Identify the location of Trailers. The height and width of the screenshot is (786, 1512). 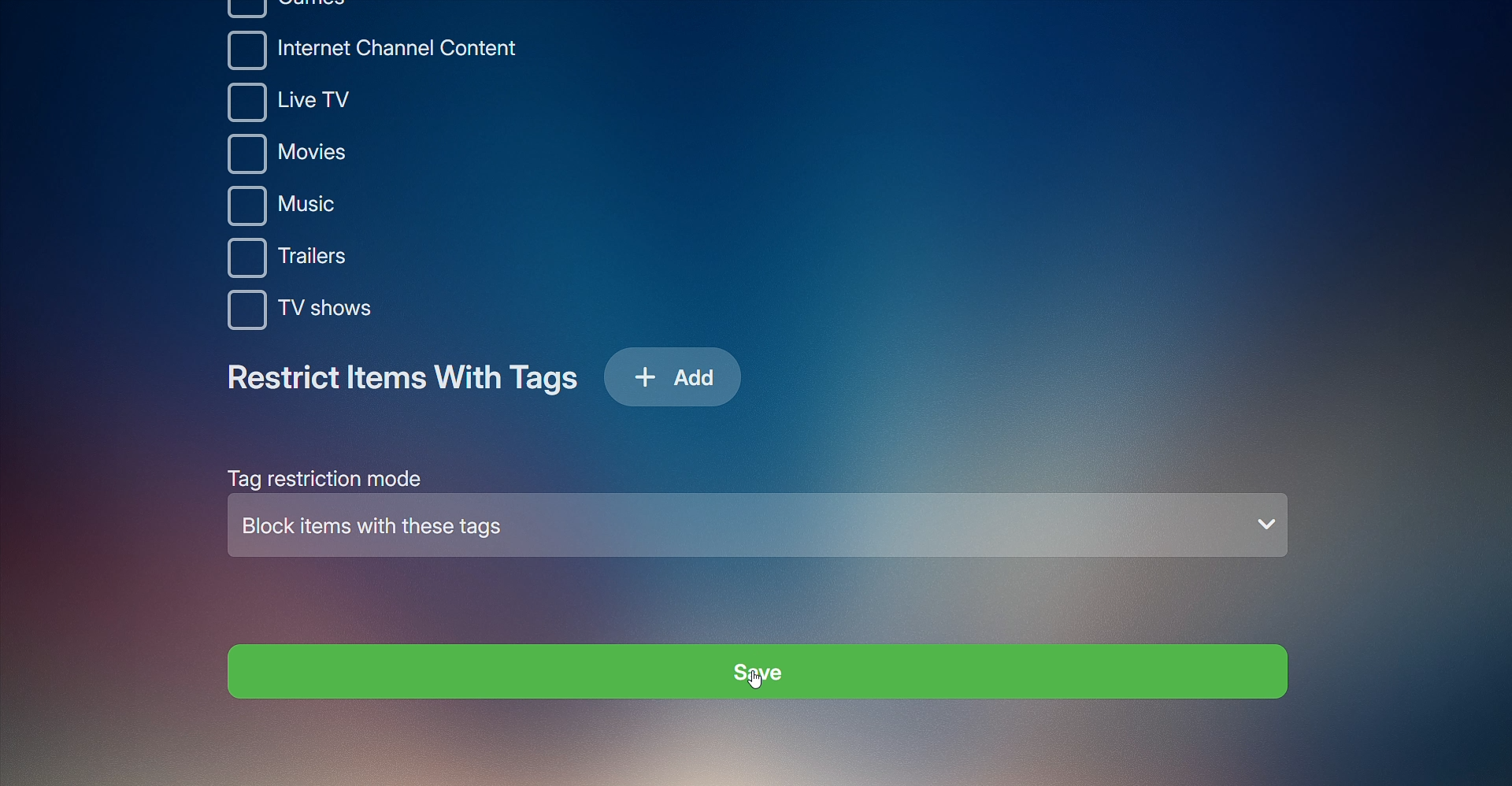
(323, 260).